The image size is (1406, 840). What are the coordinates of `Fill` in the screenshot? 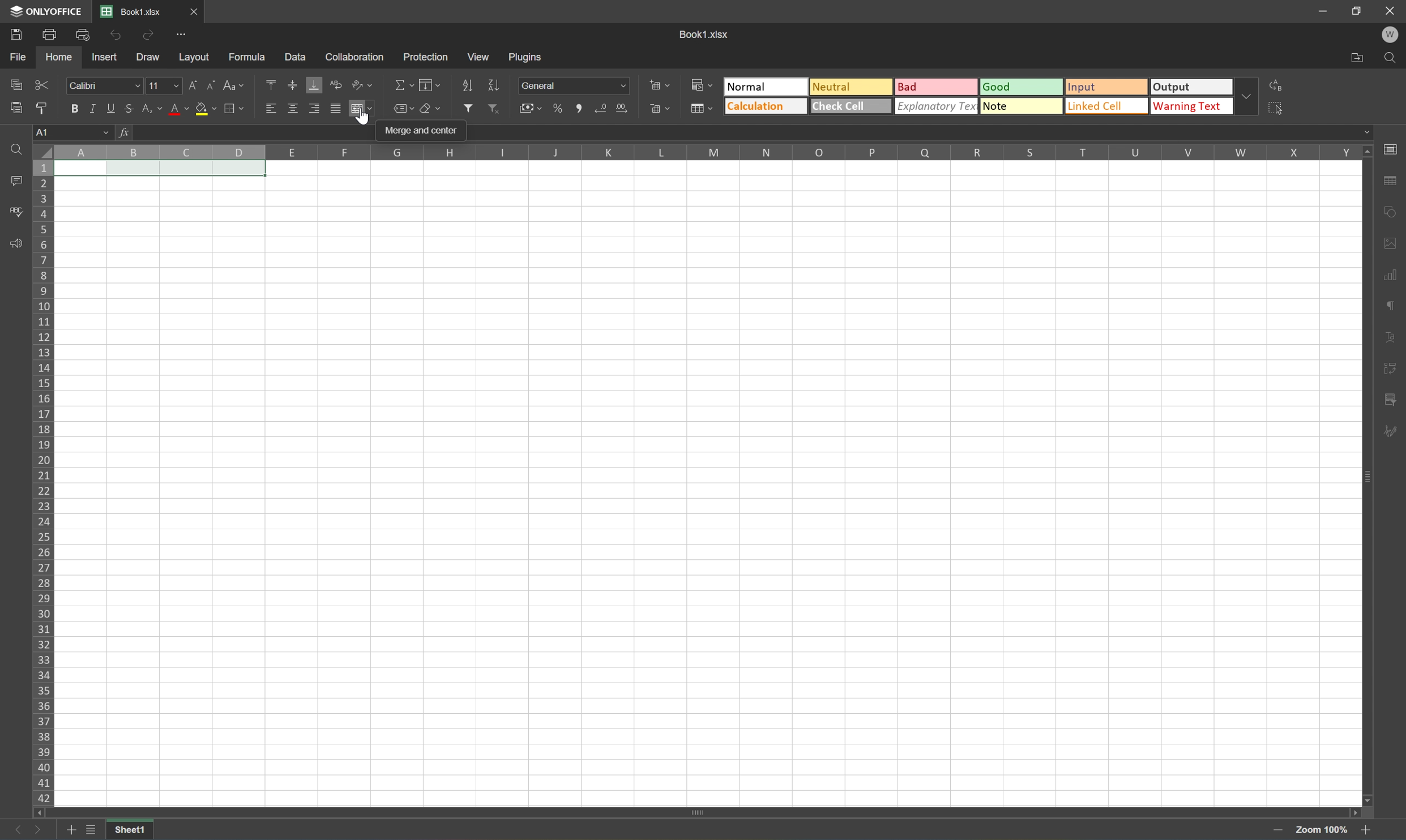 It's located at (429, 85).